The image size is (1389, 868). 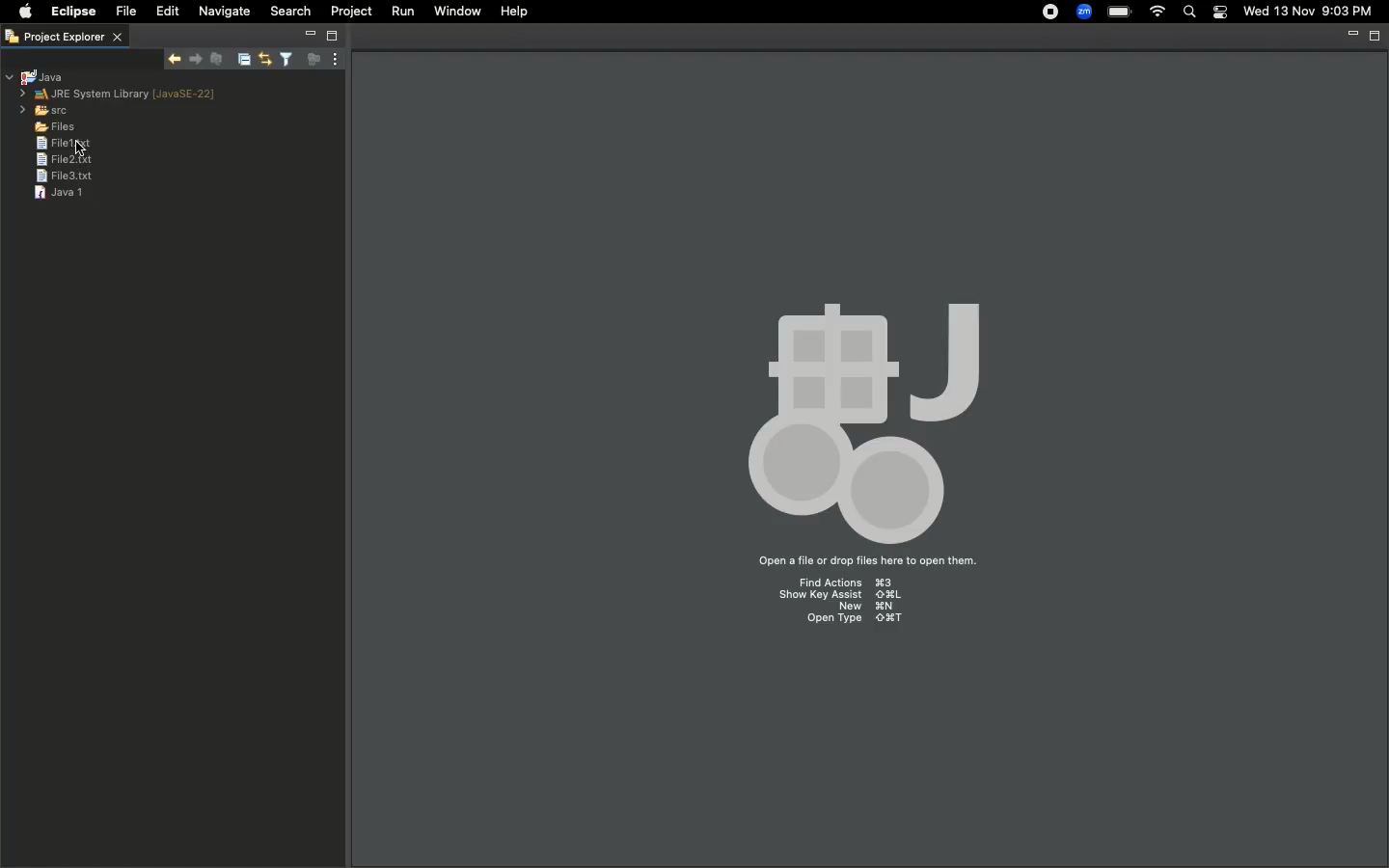 What do you see at coordinates (79, 145) in the screenshot?
I see `Cursor` at bounding box center [79, 145].